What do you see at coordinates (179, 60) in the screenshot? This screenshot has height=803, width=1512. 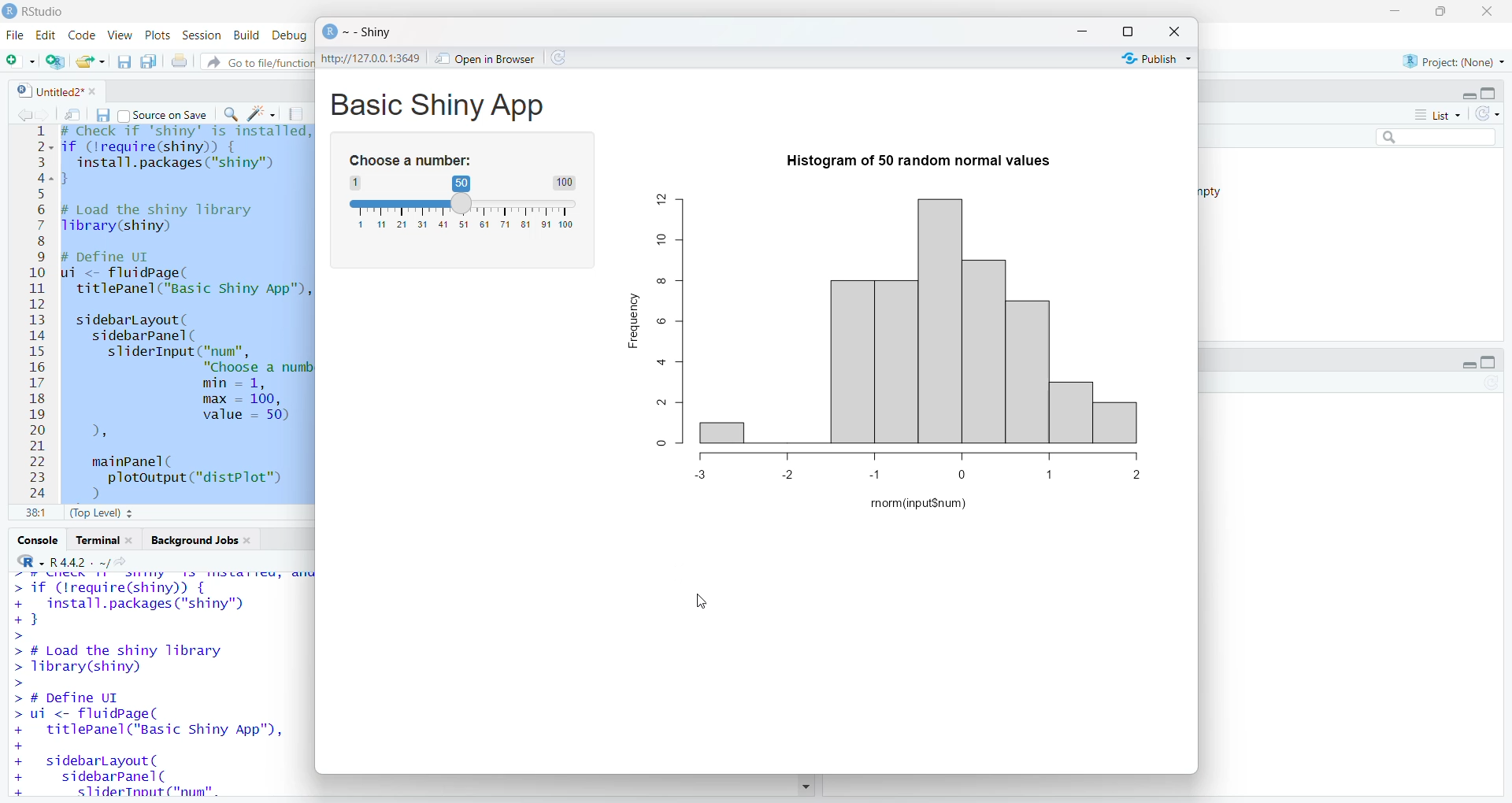 I see `print` at bounding box center [179, 60].